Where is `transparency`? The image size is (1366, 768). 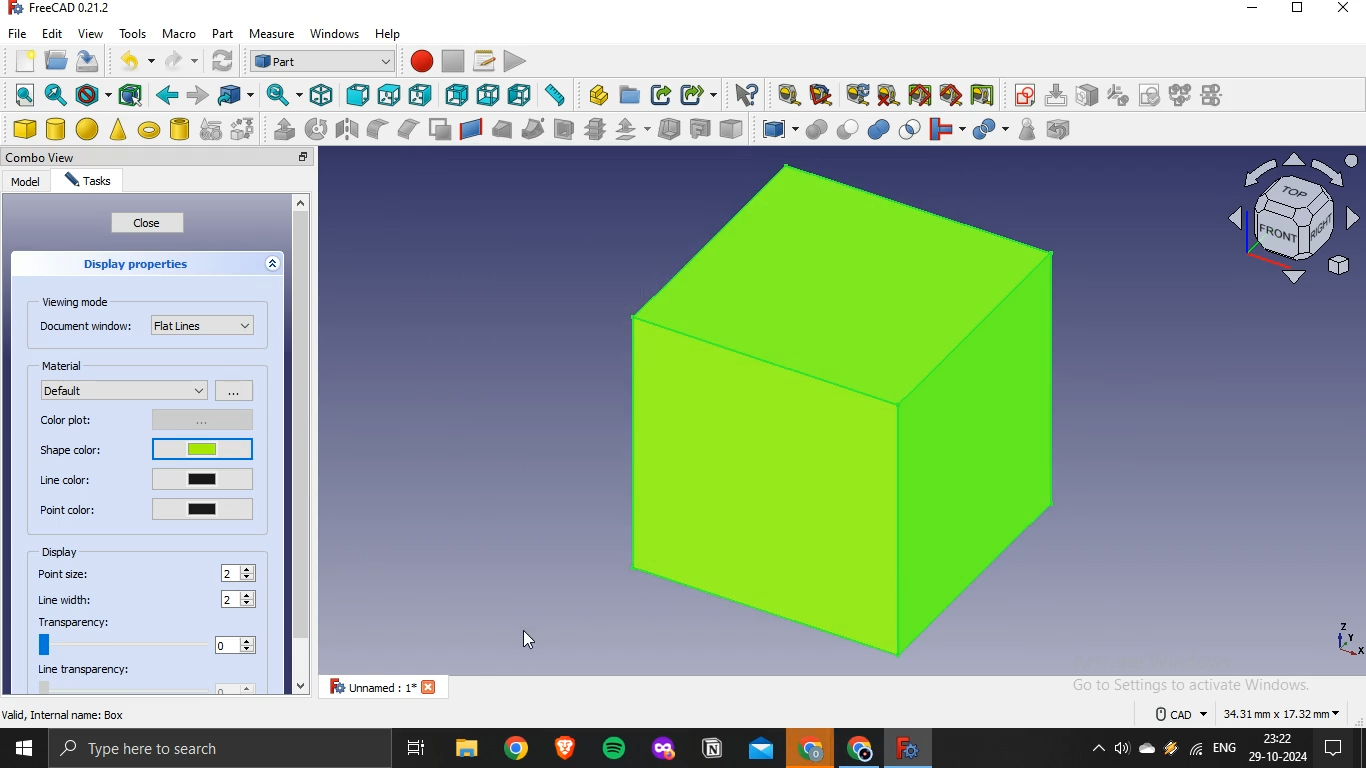 transparency is located at coordinates (145, 635).